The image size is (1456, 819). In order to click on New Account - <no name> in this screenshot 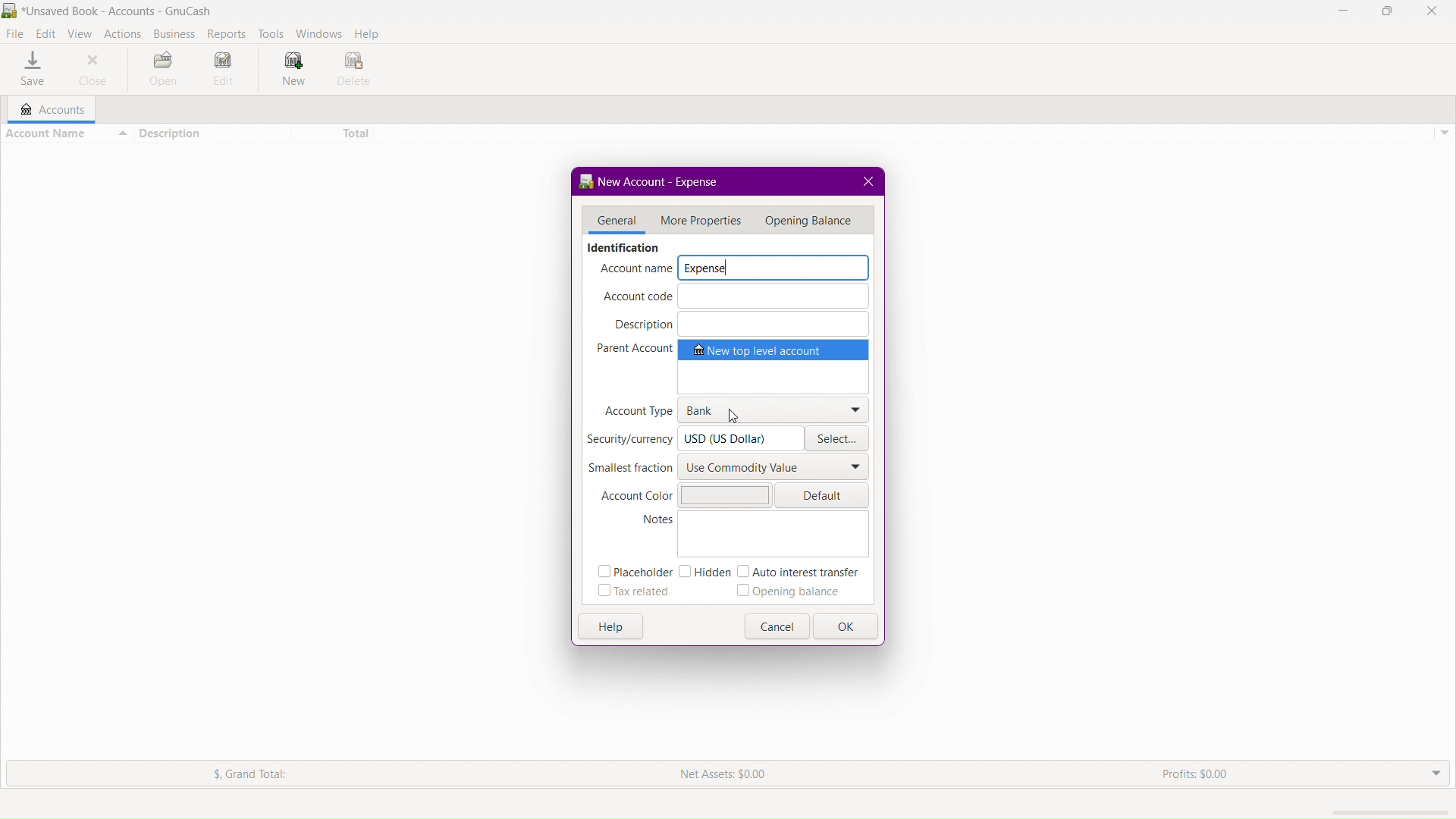, I will do `click(667, 180)`.